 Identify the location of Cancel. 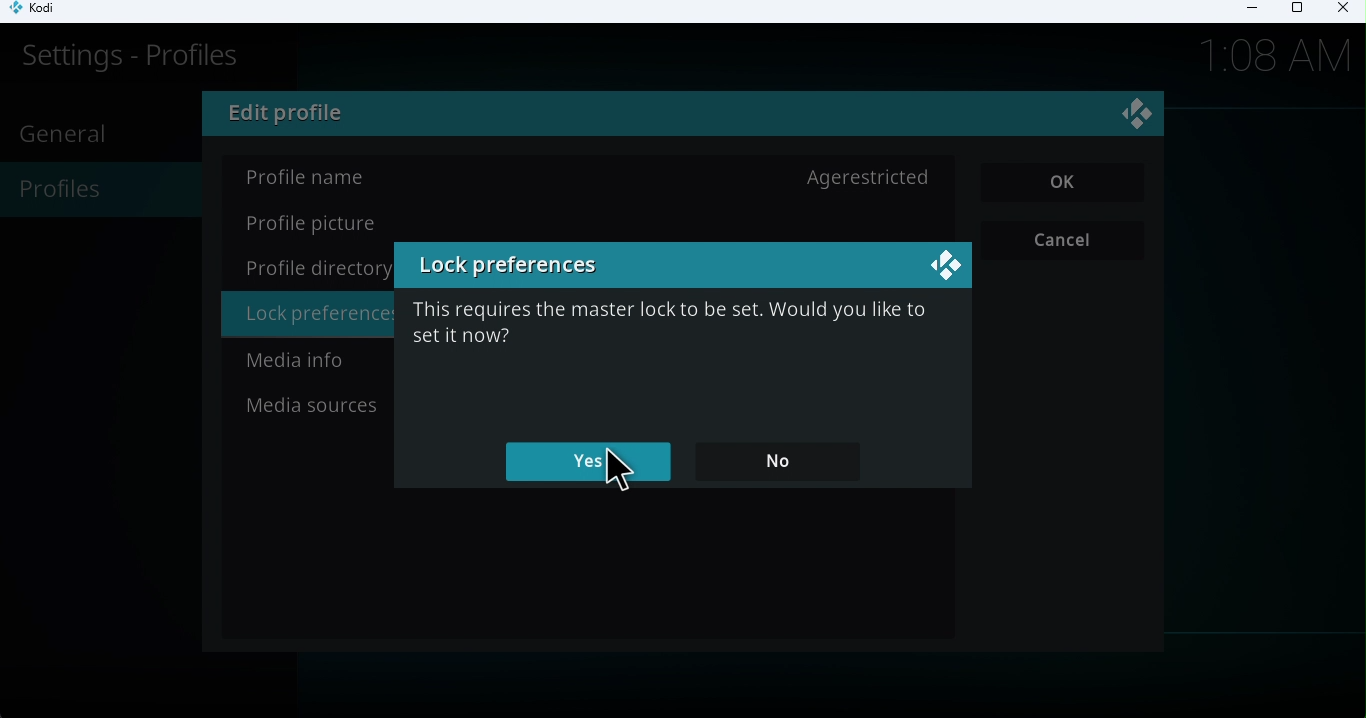
(1066, 241).